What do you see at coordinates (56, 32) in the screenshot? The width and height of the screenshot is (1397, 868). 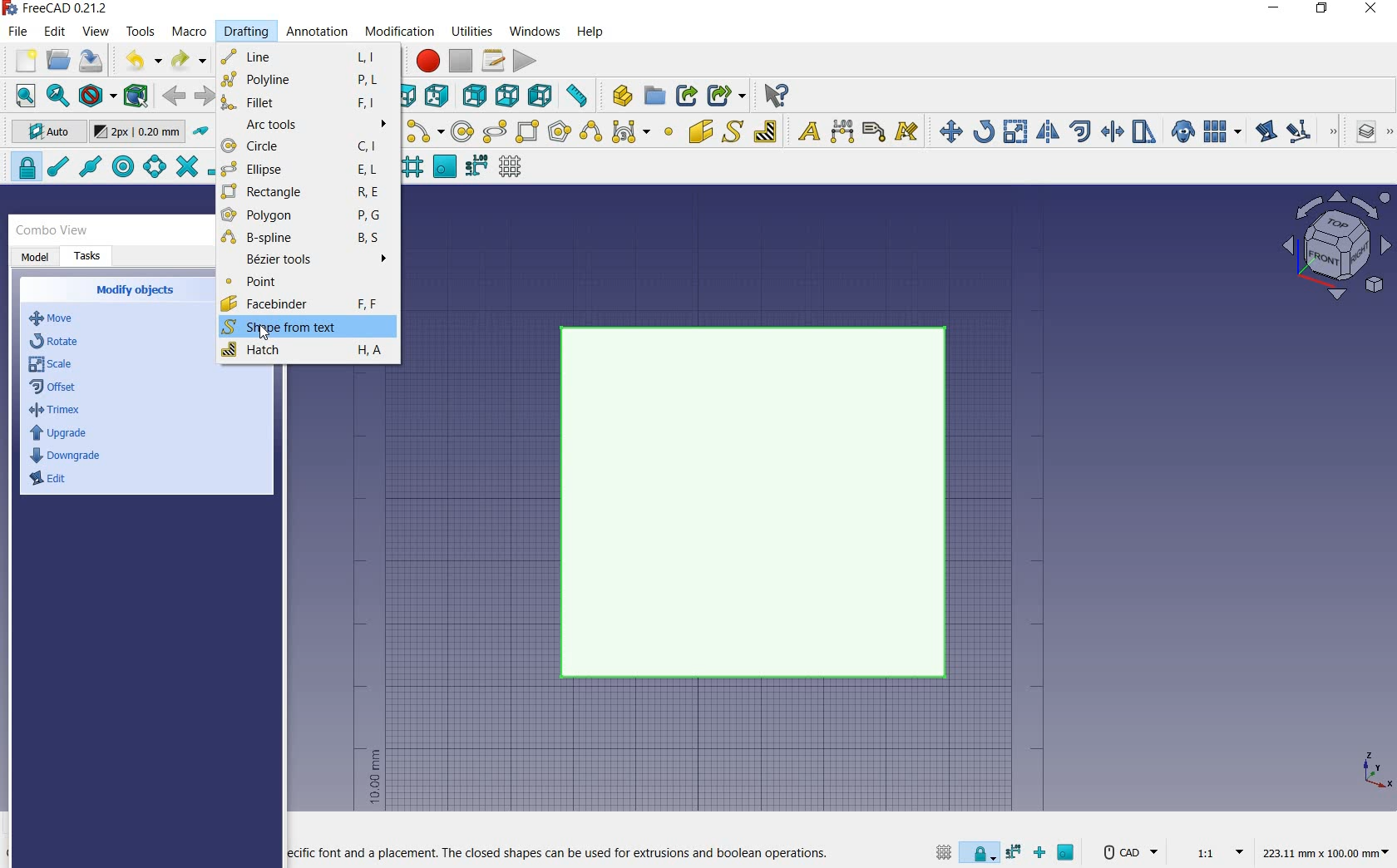 I see `edit` at bounding box center [56, 32].